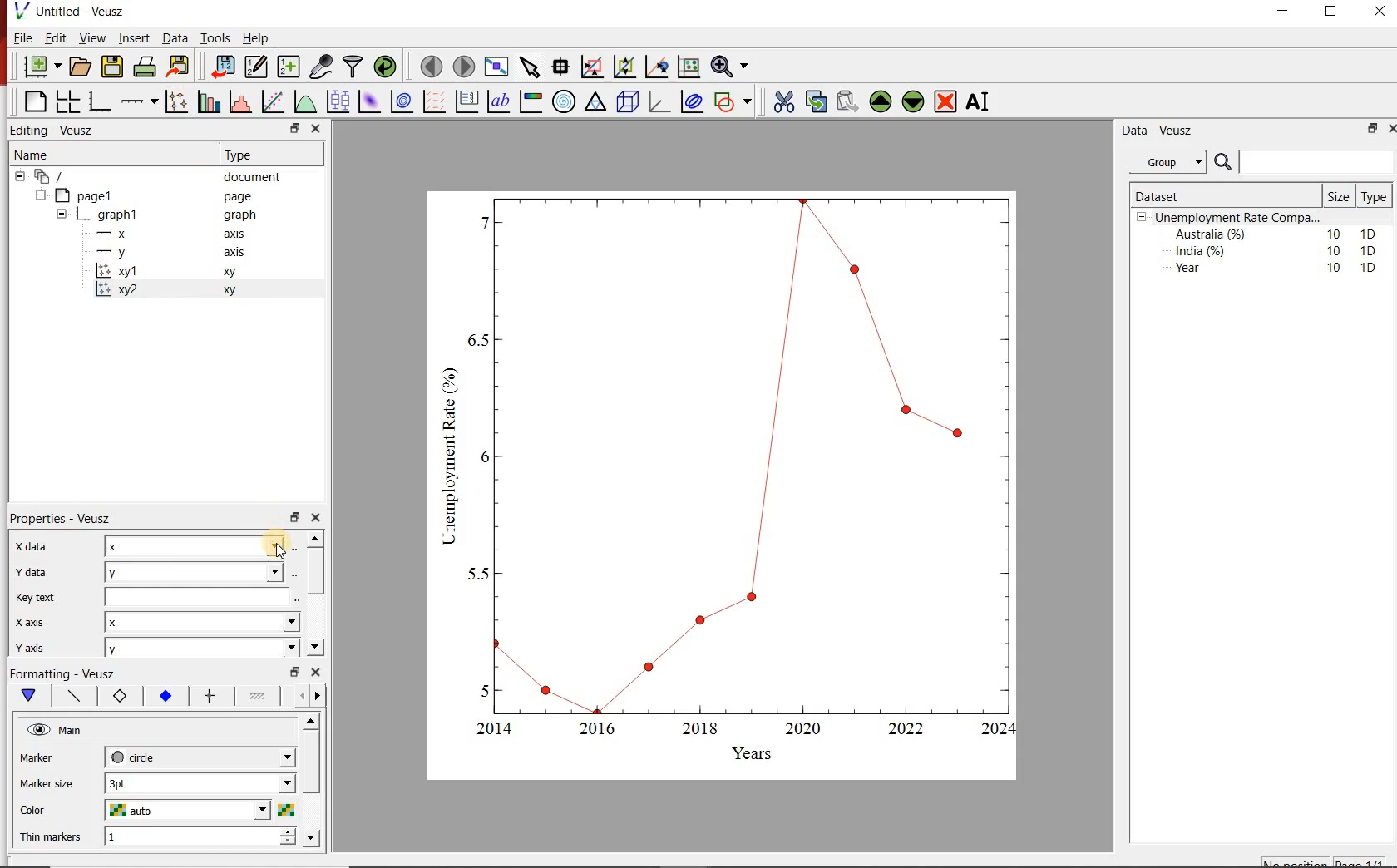 This screenshot has width=1397, height=868. I want to click on print document, so click(145, 65).